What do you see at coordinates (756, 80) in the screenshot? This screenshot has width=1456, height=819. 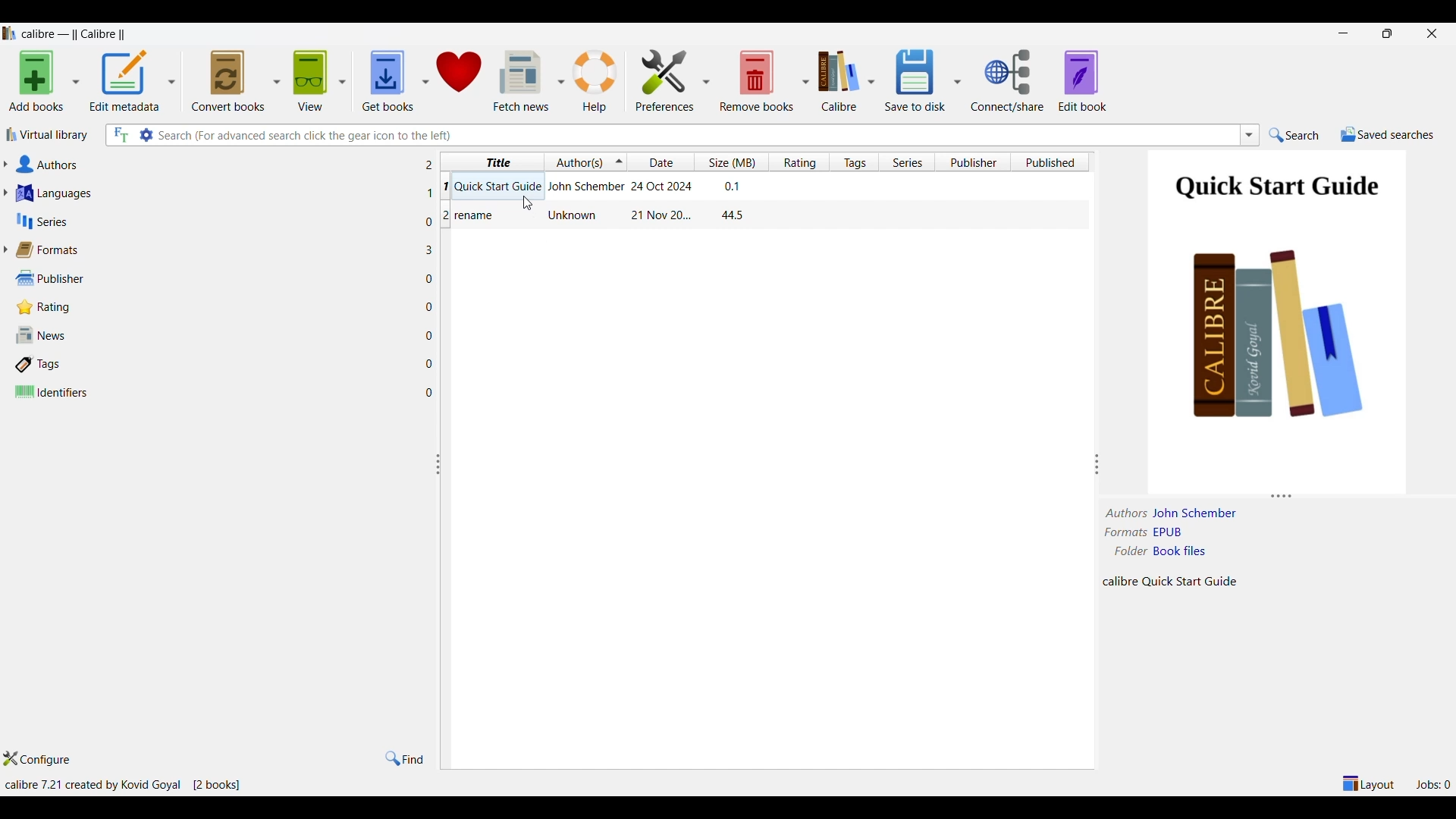 I see `Remove books` at bounding box center [756, 80].